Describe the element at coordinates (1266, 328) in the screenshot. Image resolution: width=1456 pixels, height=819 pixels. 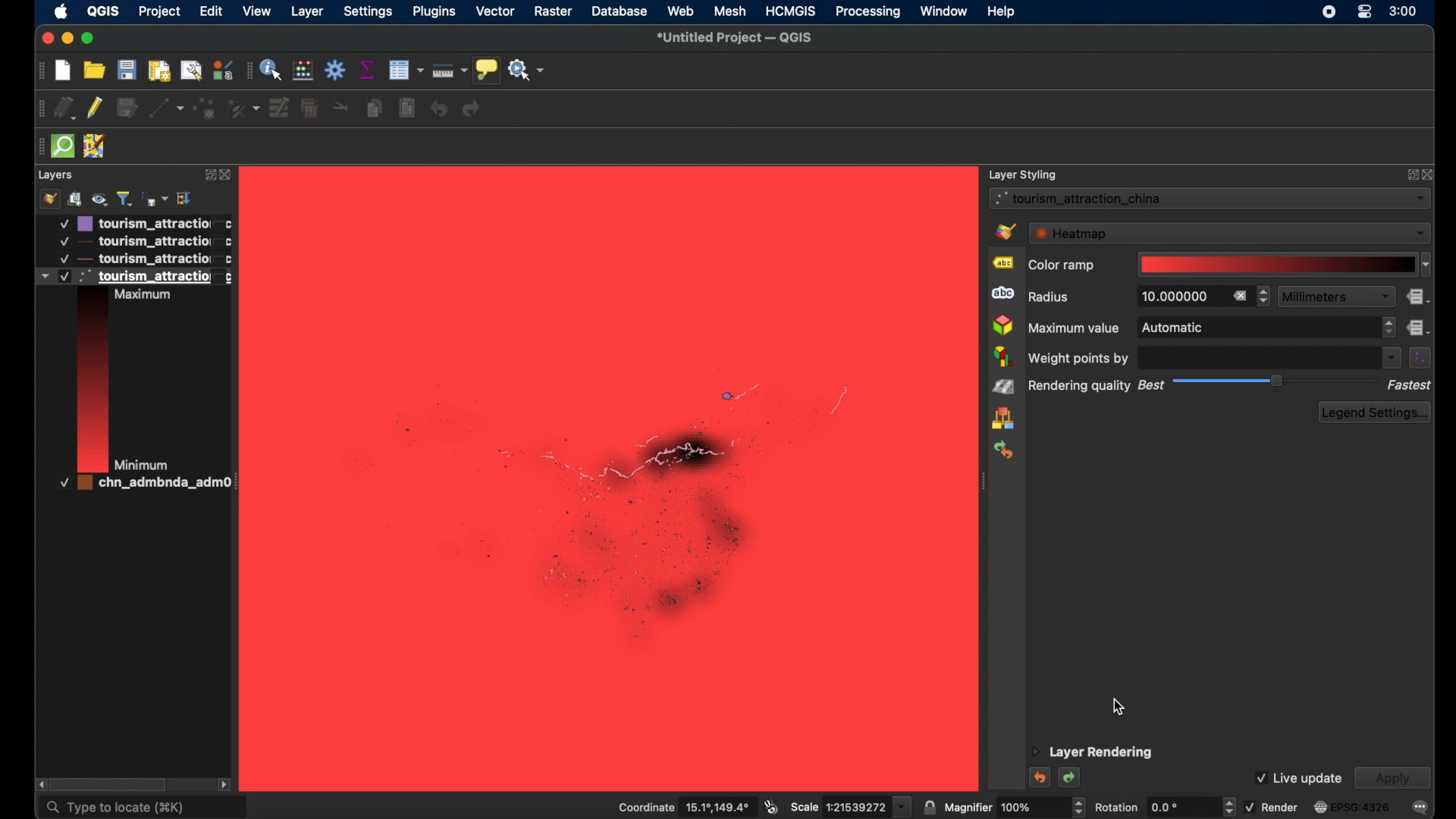
I see `maximum value dropdown` at that location.